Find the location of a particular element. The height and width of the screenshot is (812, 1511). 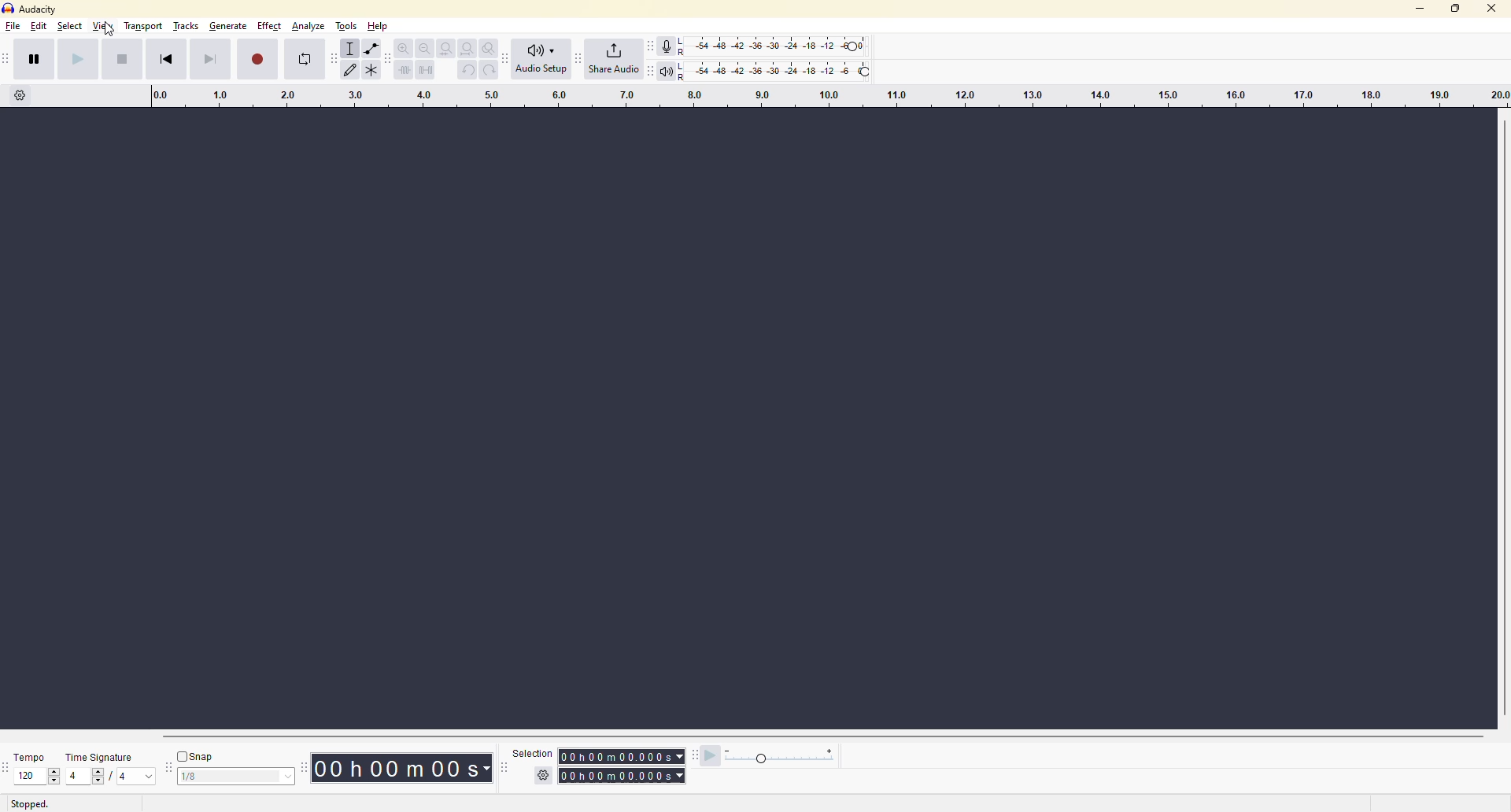

audacity tools toolbar is located at coordinates (303, 769).